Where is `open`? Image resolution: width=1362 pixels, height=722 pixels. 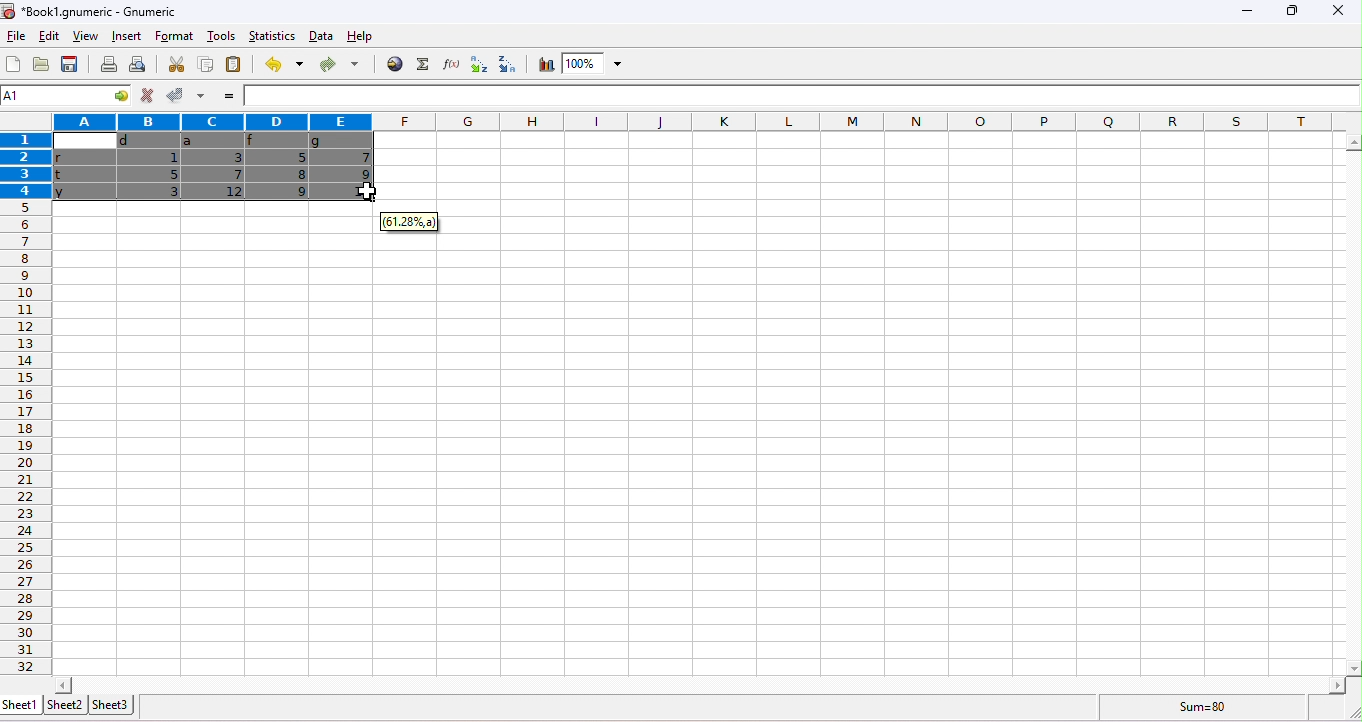
open is located at coordinates (43, 65).